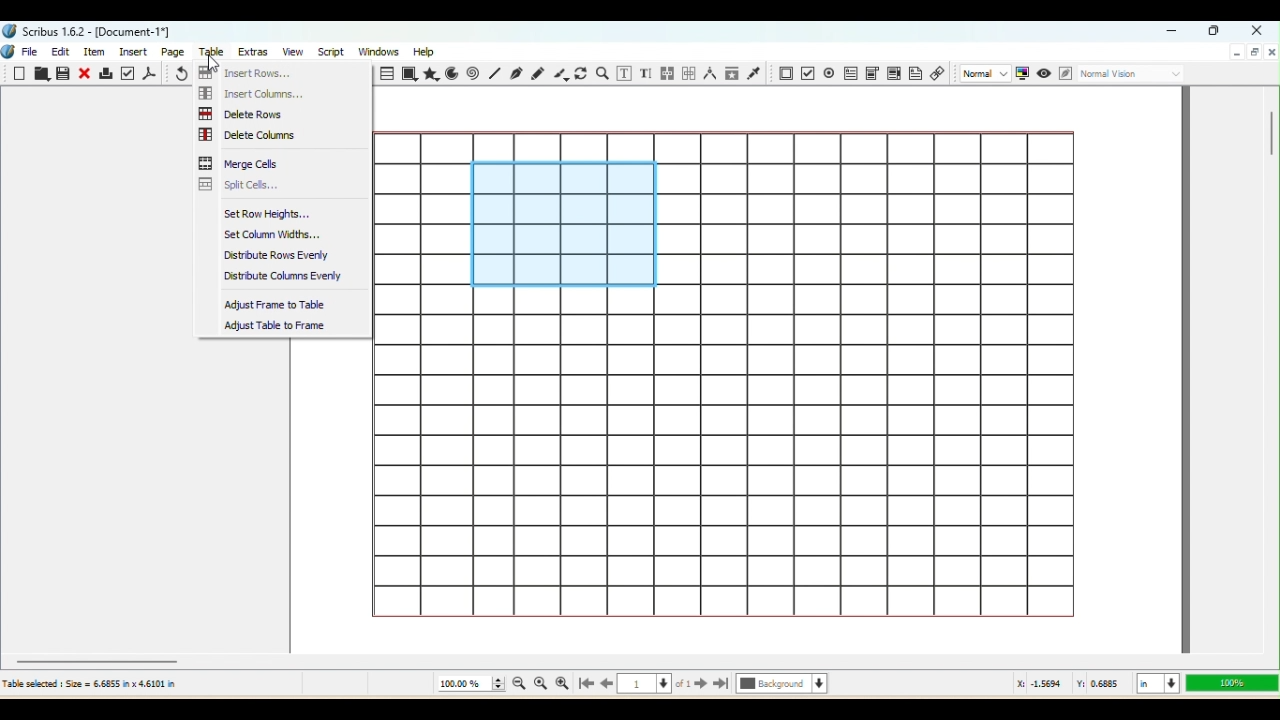 This screenshot has width=1280, height=720. What do you see at coordinates (380, 50) in the screenshot?
I see `Windows` at bounding box center [380, 50].